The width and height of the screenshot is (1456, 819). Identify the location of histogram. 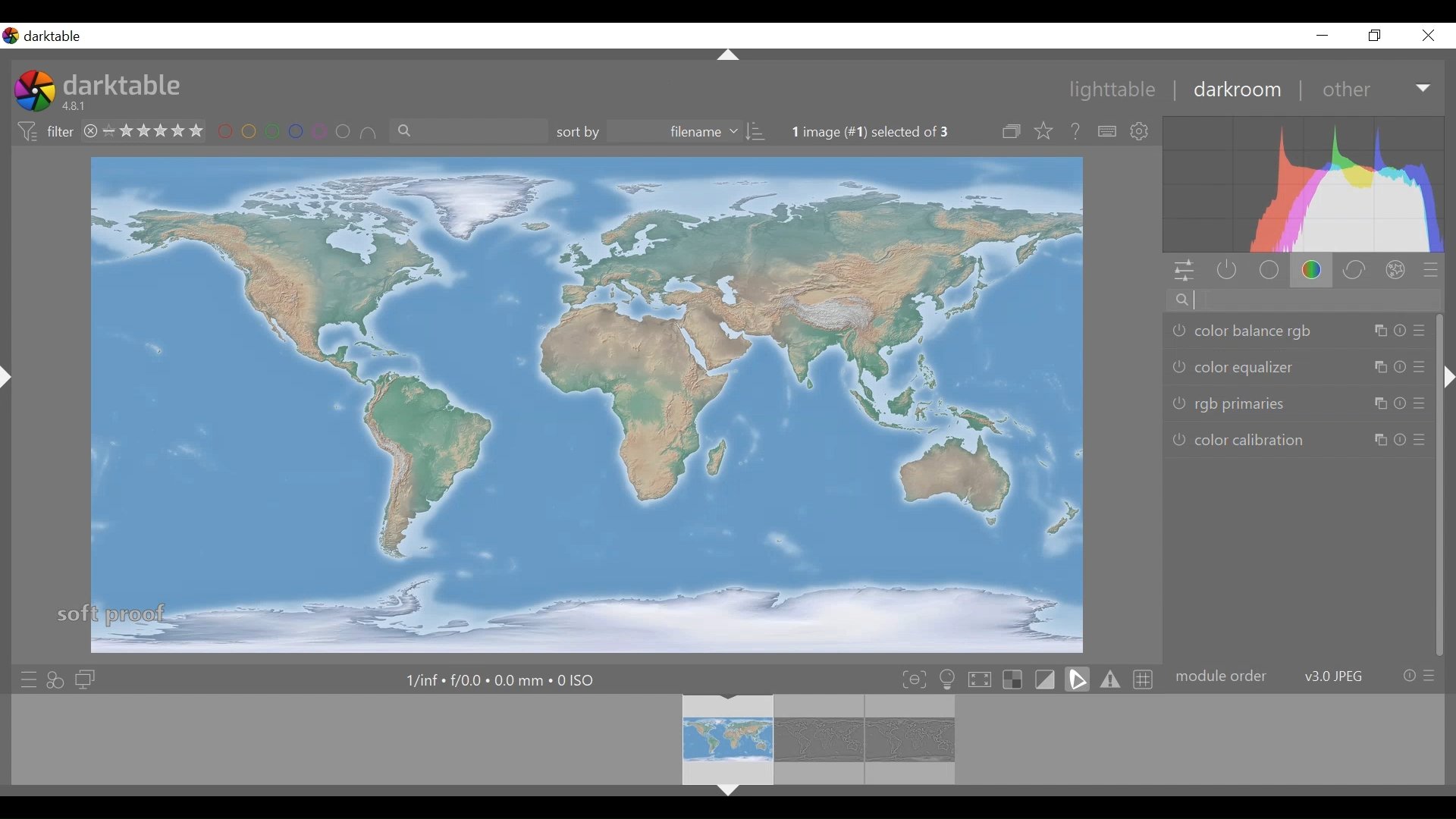
(1305, 184).